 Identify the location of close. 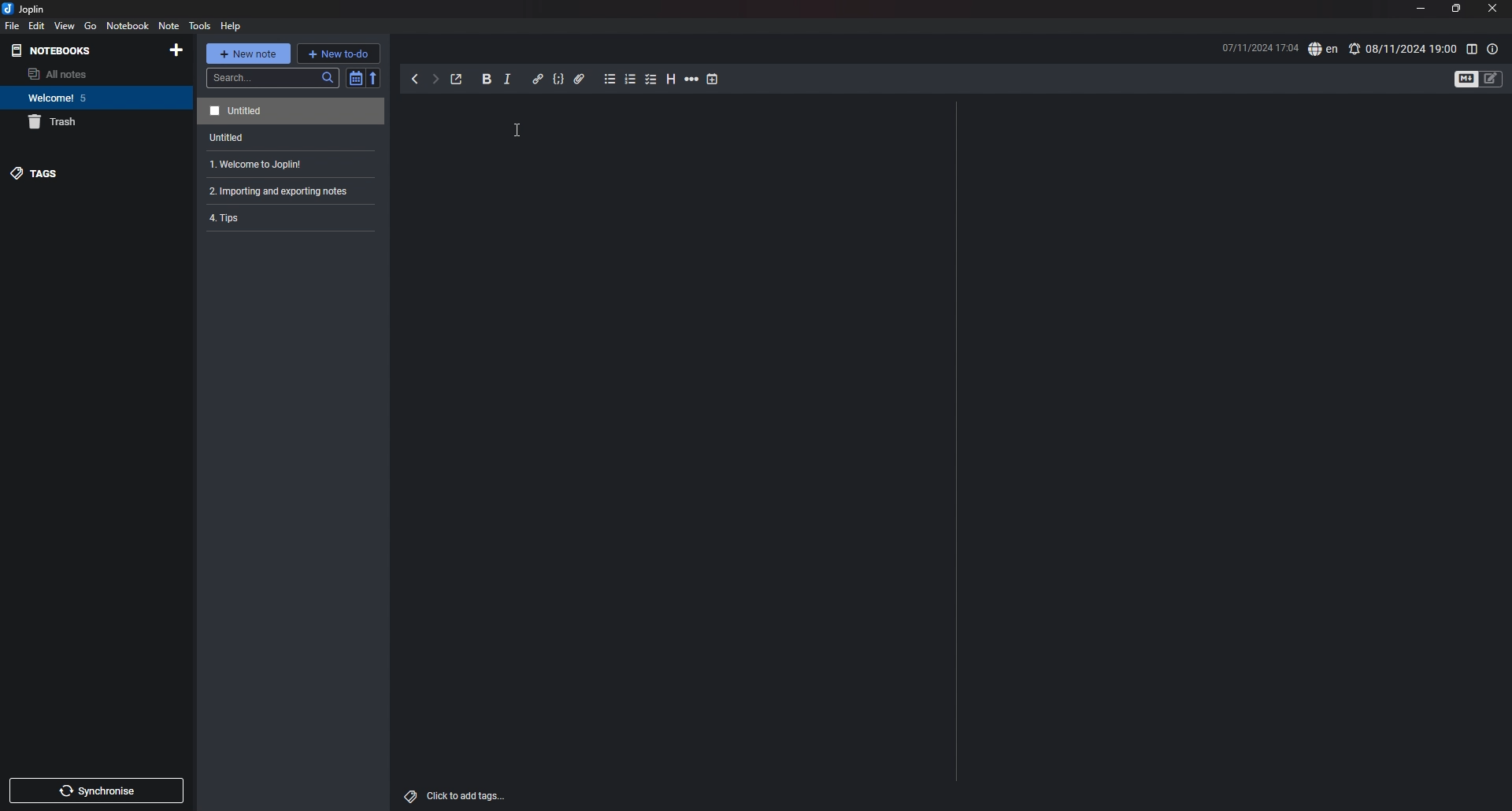
(1492, 9).